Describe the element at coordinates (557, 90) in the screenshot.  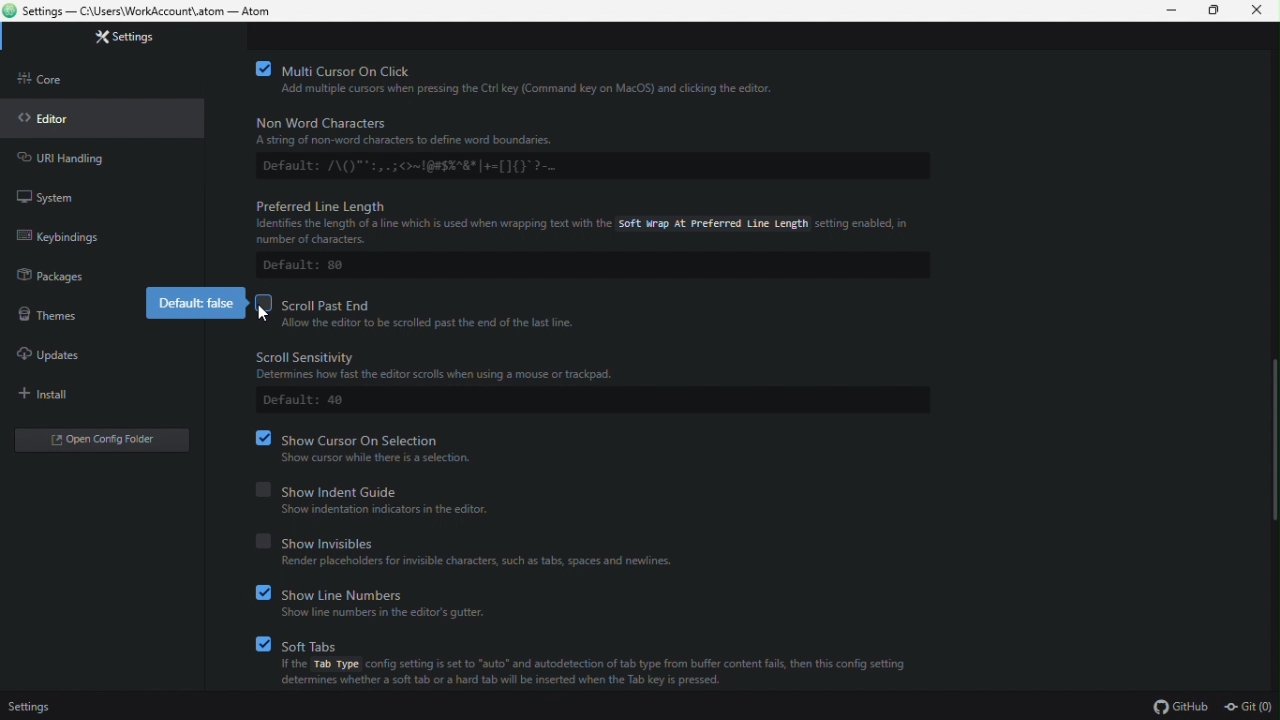
I see `‘Add multiple cursors when pressing the Ctrl key (Command key on MacOS) and clicking the editor.` at that location.